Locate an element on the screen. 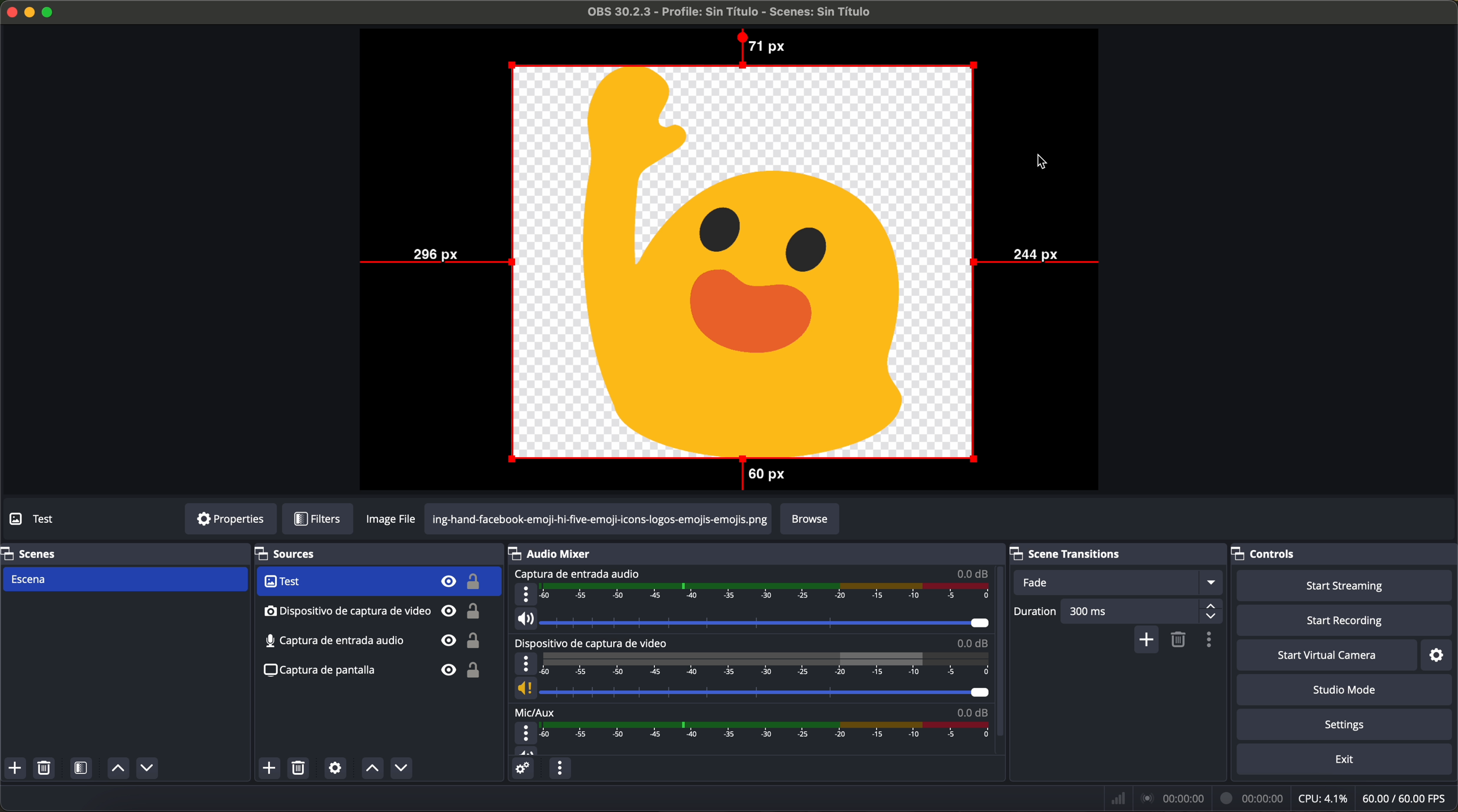 The image size is (1458, 812). remove selected scene is located at coordinates (44, 768).